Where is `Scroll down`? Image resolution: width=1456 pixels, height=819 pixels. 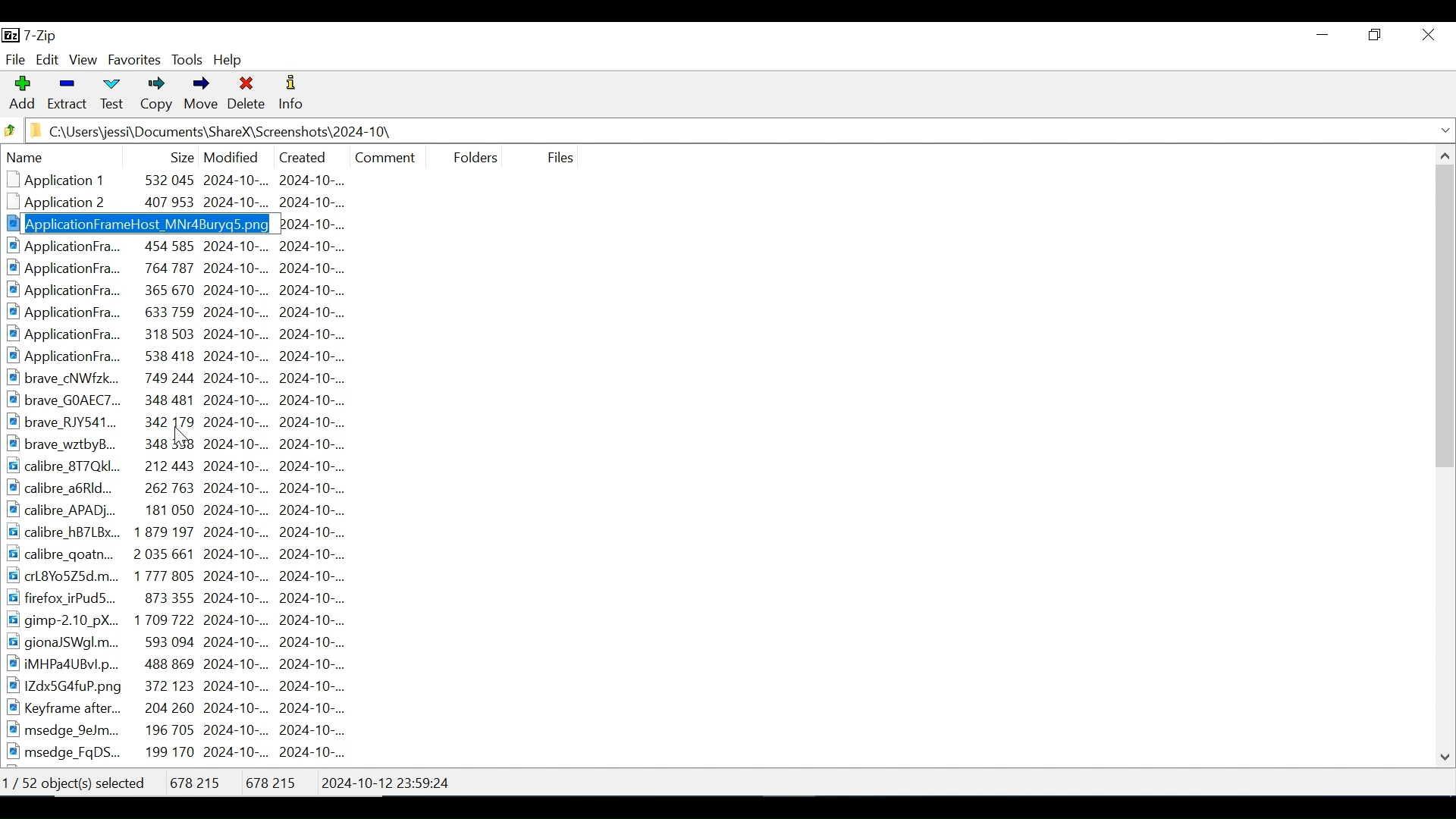
Scroll down is located at coordinates (1446, 755).